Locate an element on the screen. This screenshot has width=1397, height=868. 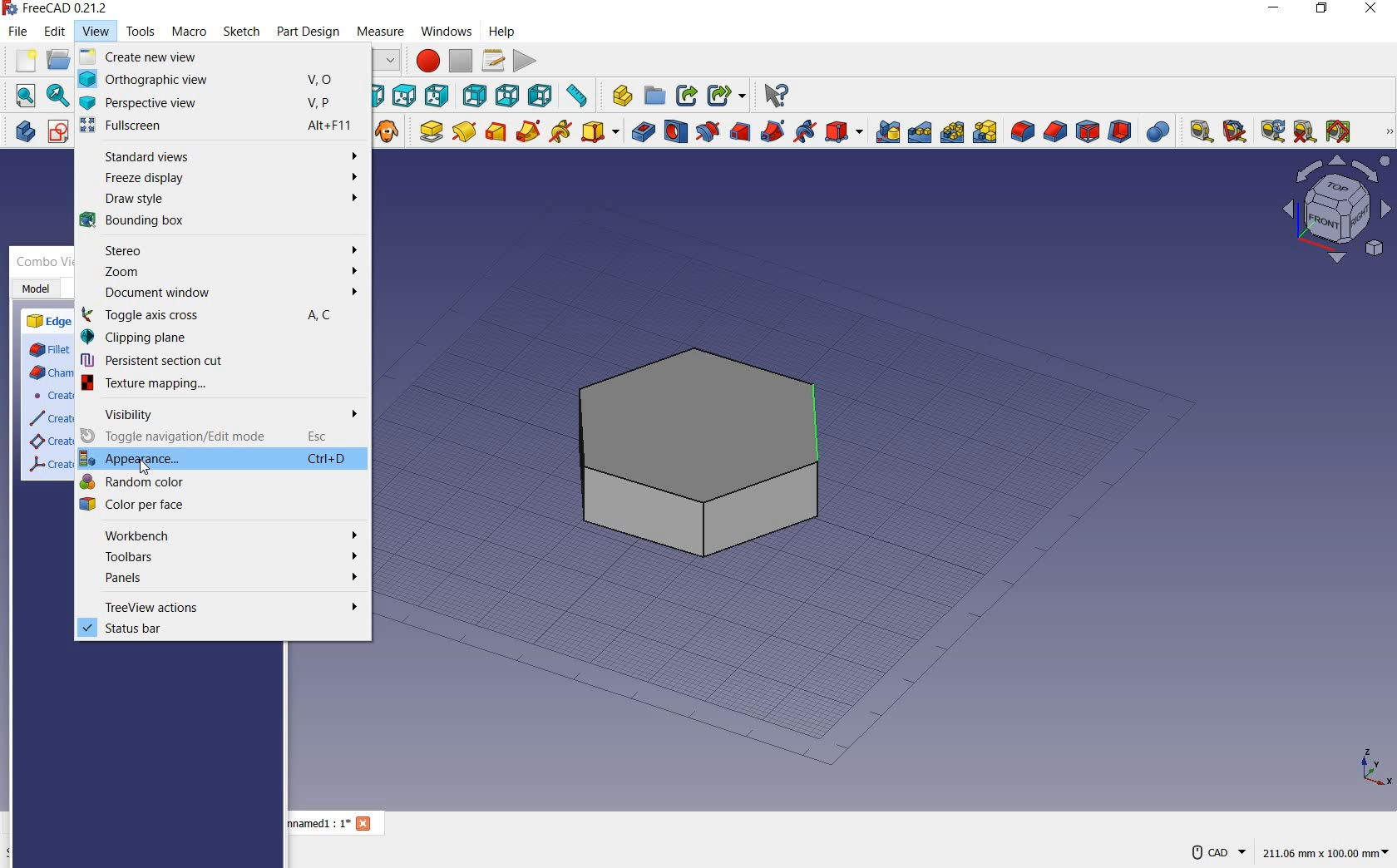
orthographic view is located at coordinates (219, 81).